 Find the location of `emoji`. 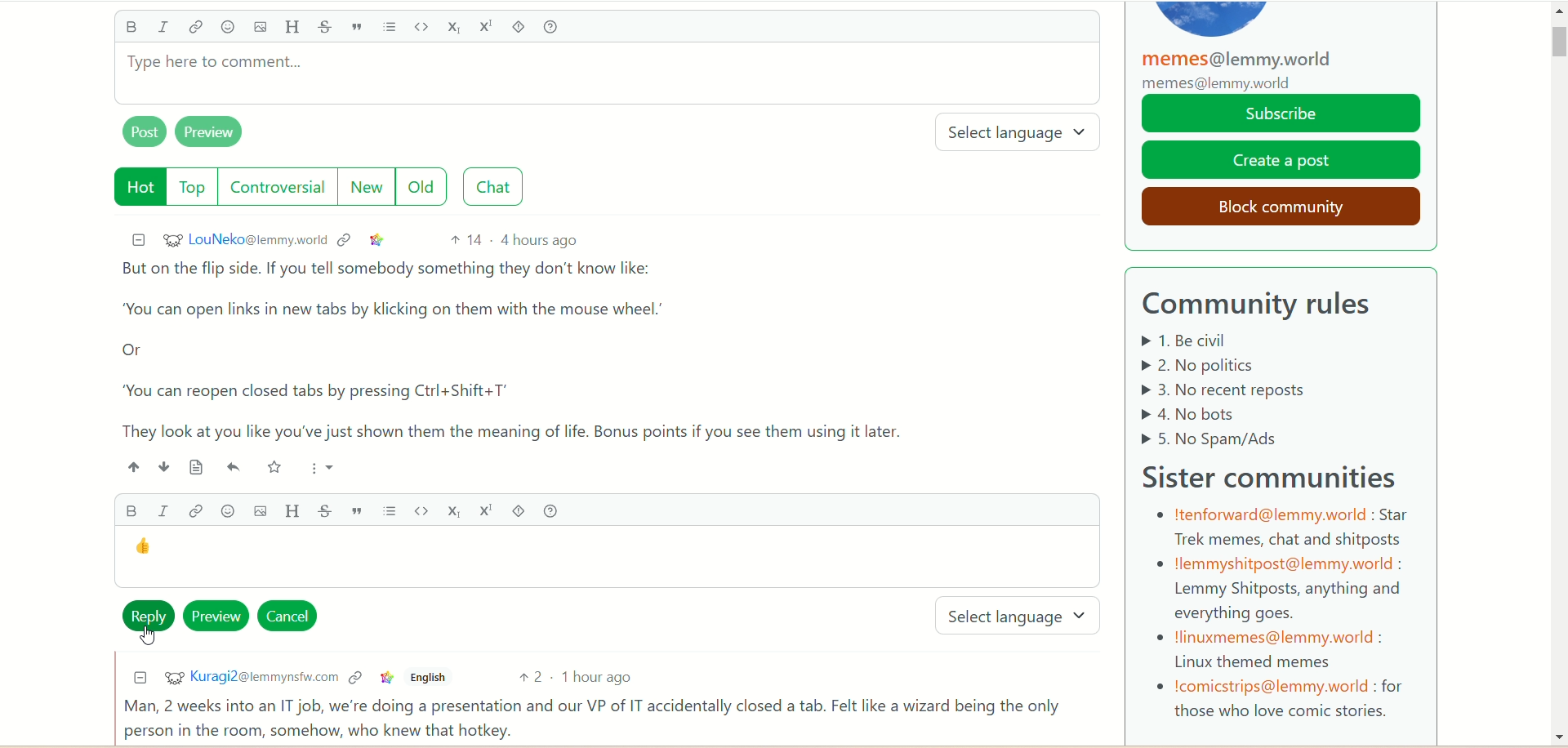

emoji is located at coordinates (227, 28).